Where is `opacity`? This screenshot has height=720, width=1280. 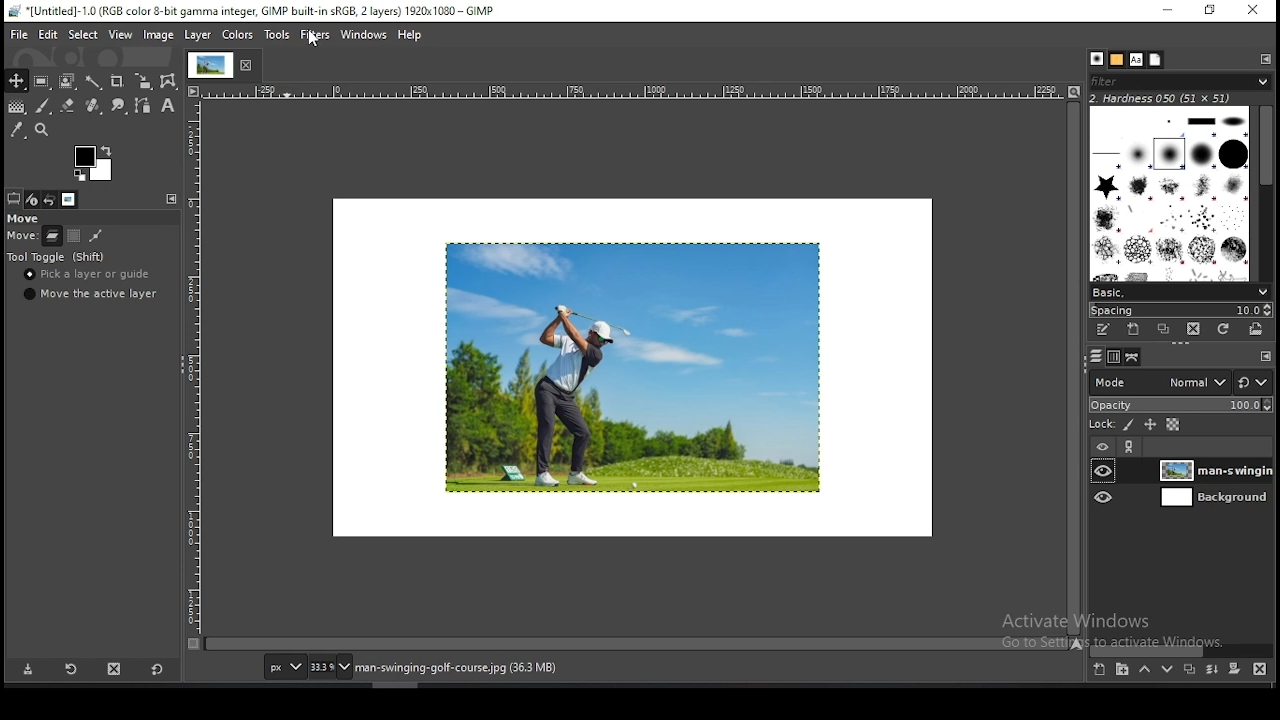
opacity is located at coordinates (1180, 404).